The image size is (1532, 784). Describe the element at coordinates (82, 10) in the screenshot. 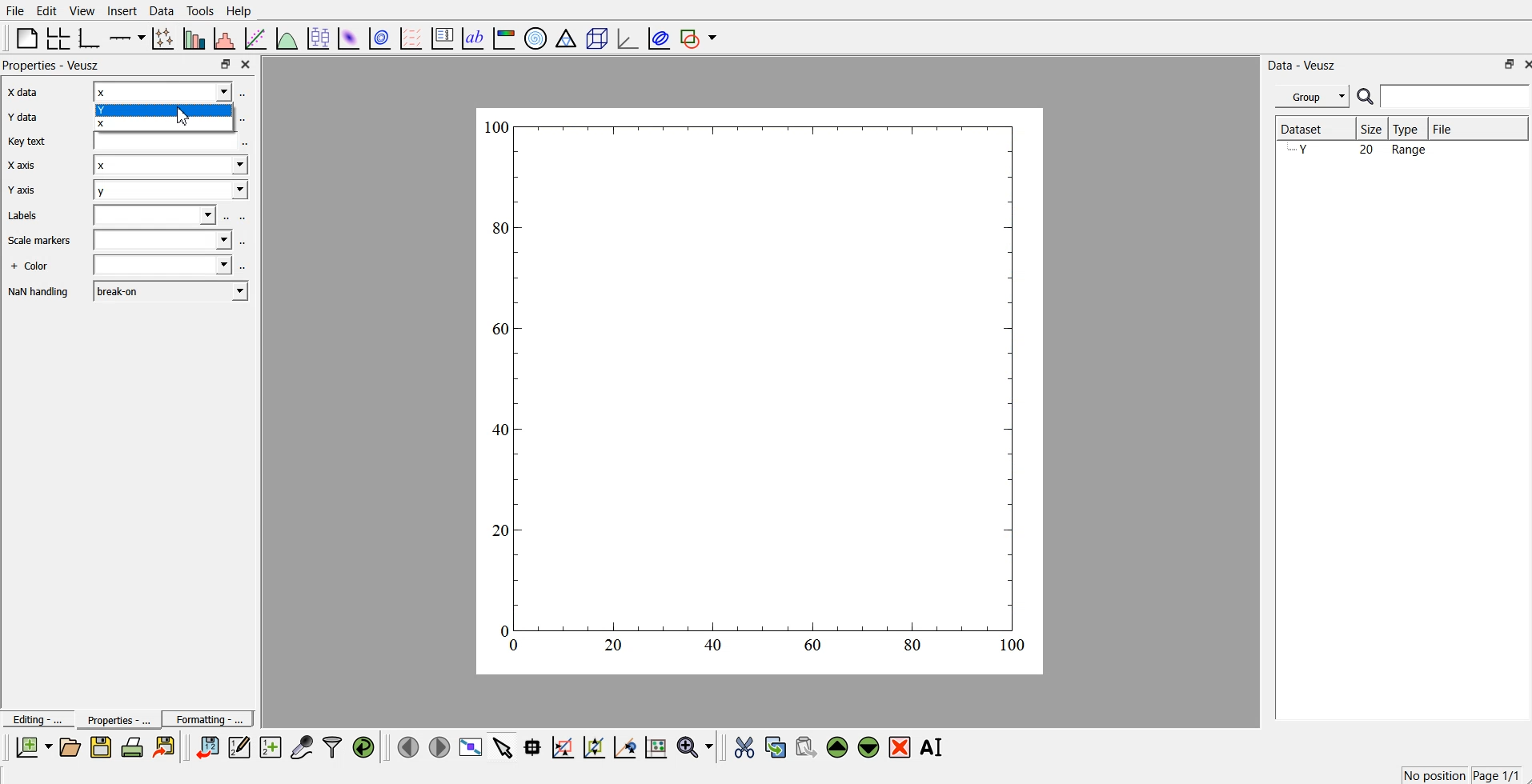

I see `View` at that location.